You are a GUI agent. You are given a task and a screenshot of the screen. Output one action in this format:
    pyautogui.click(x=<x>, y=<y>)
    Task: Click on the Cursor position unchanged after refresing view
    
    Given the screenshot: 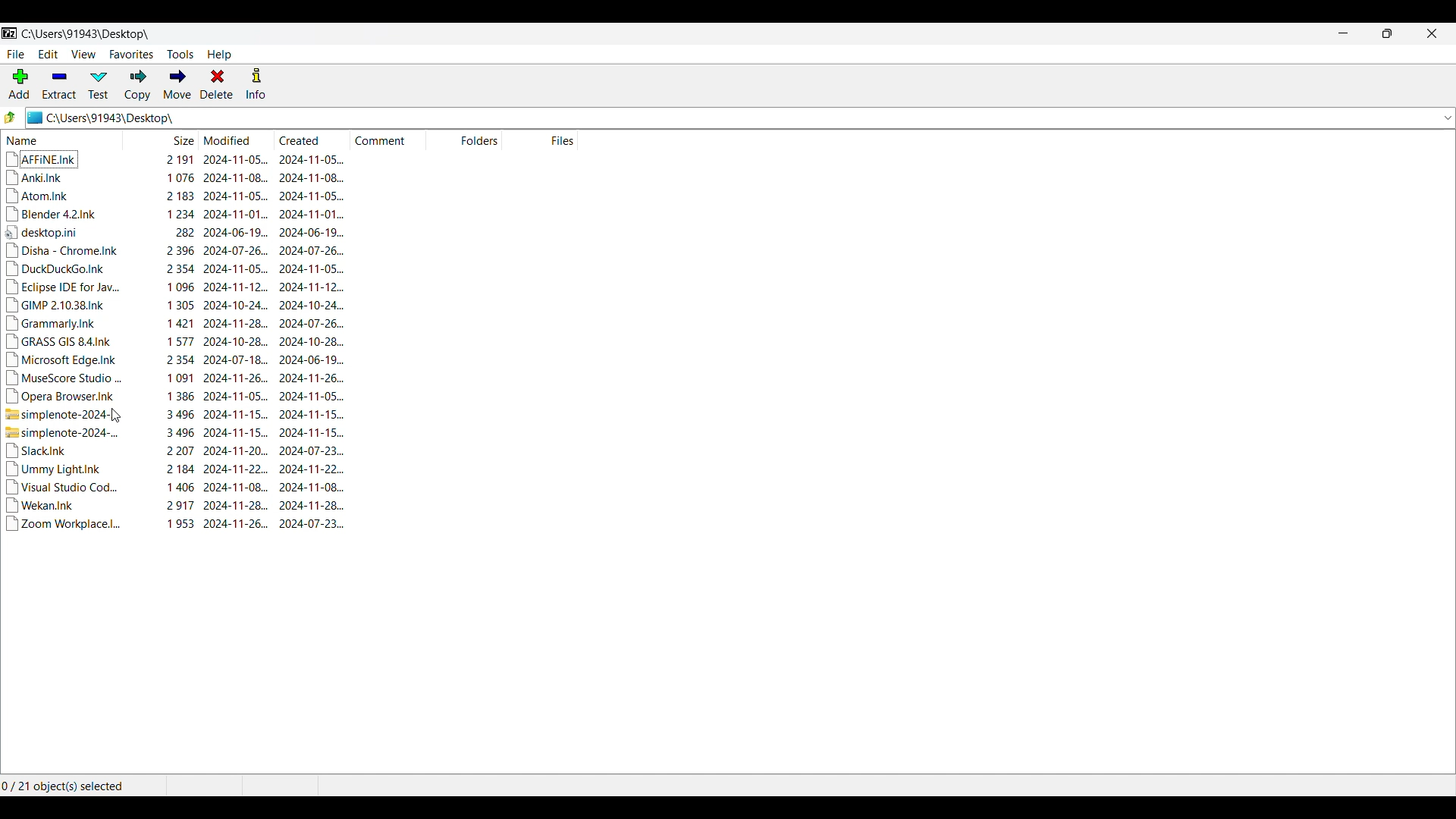 What is the action you would take?
    pyautogui.click(x=116, y=415)
    